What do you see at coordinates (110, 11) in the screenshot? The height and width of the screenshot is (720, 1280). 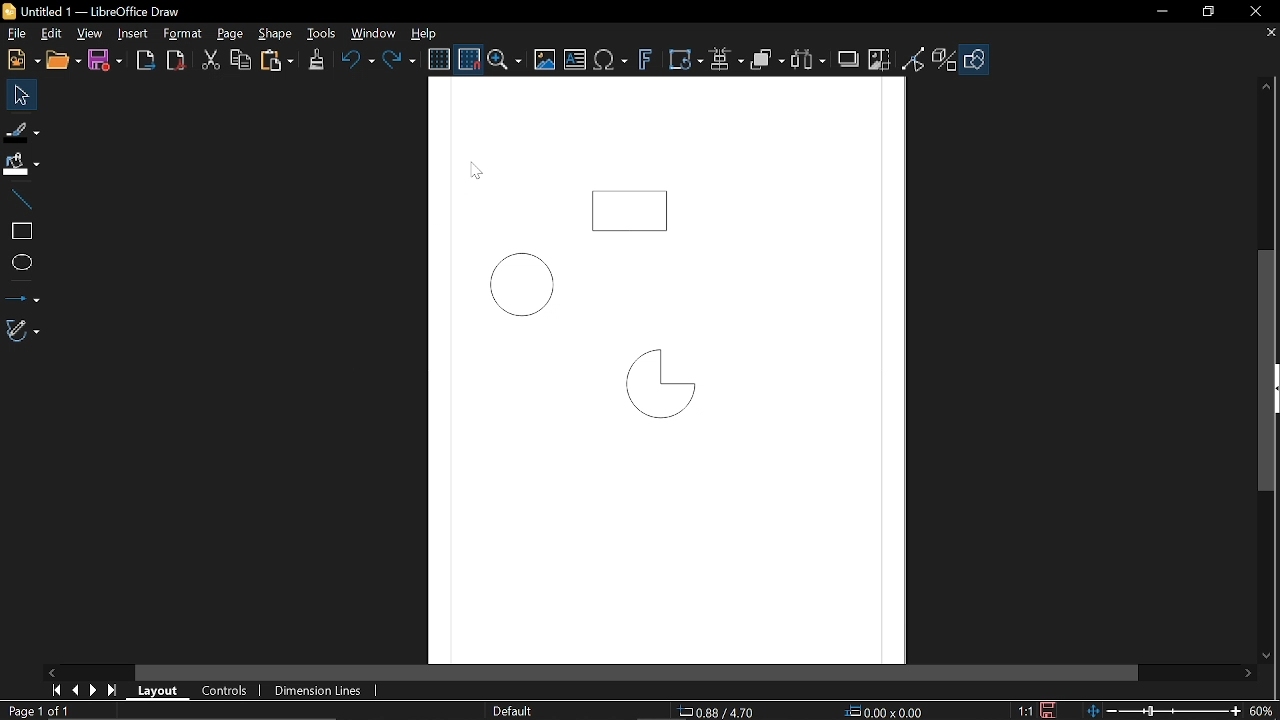 I see `B Untitled 1 — LibreOffice Draw` at bounding box center [110, 11].